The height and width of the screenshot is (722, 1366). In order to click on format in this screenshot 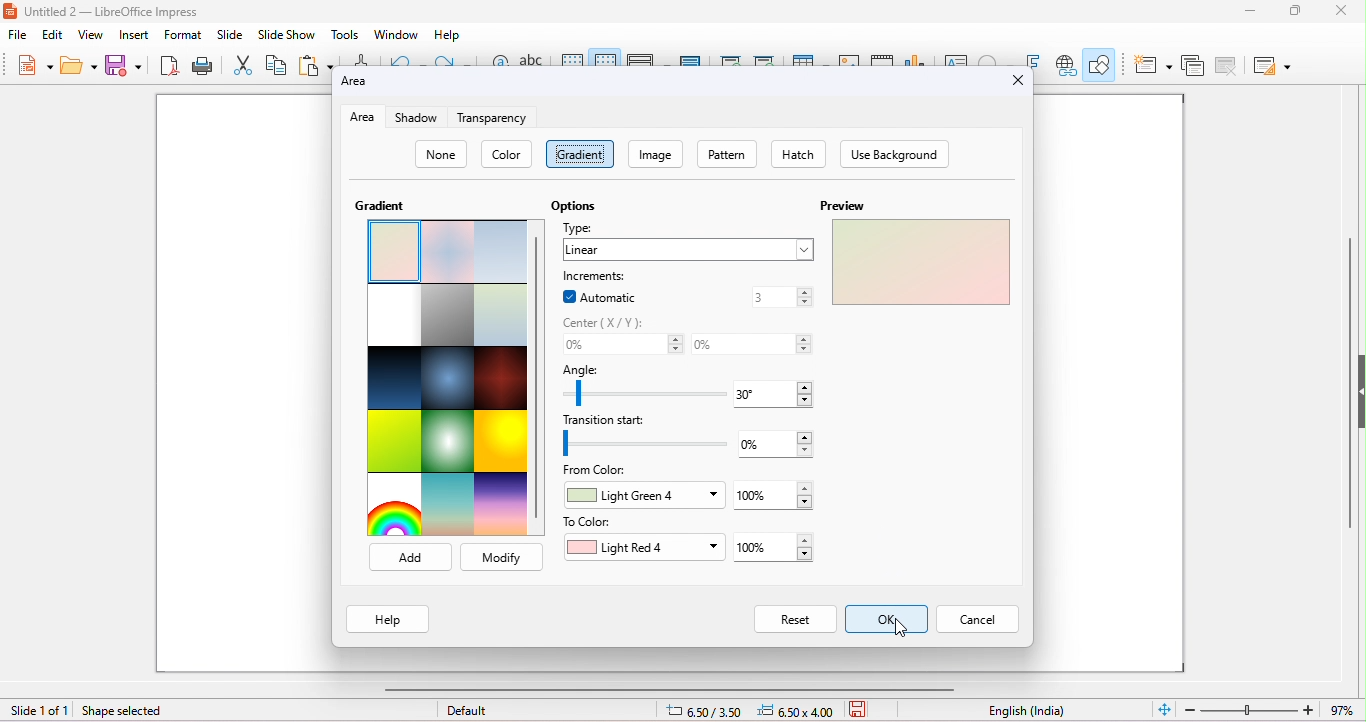, I will do `click(183, 35)`.